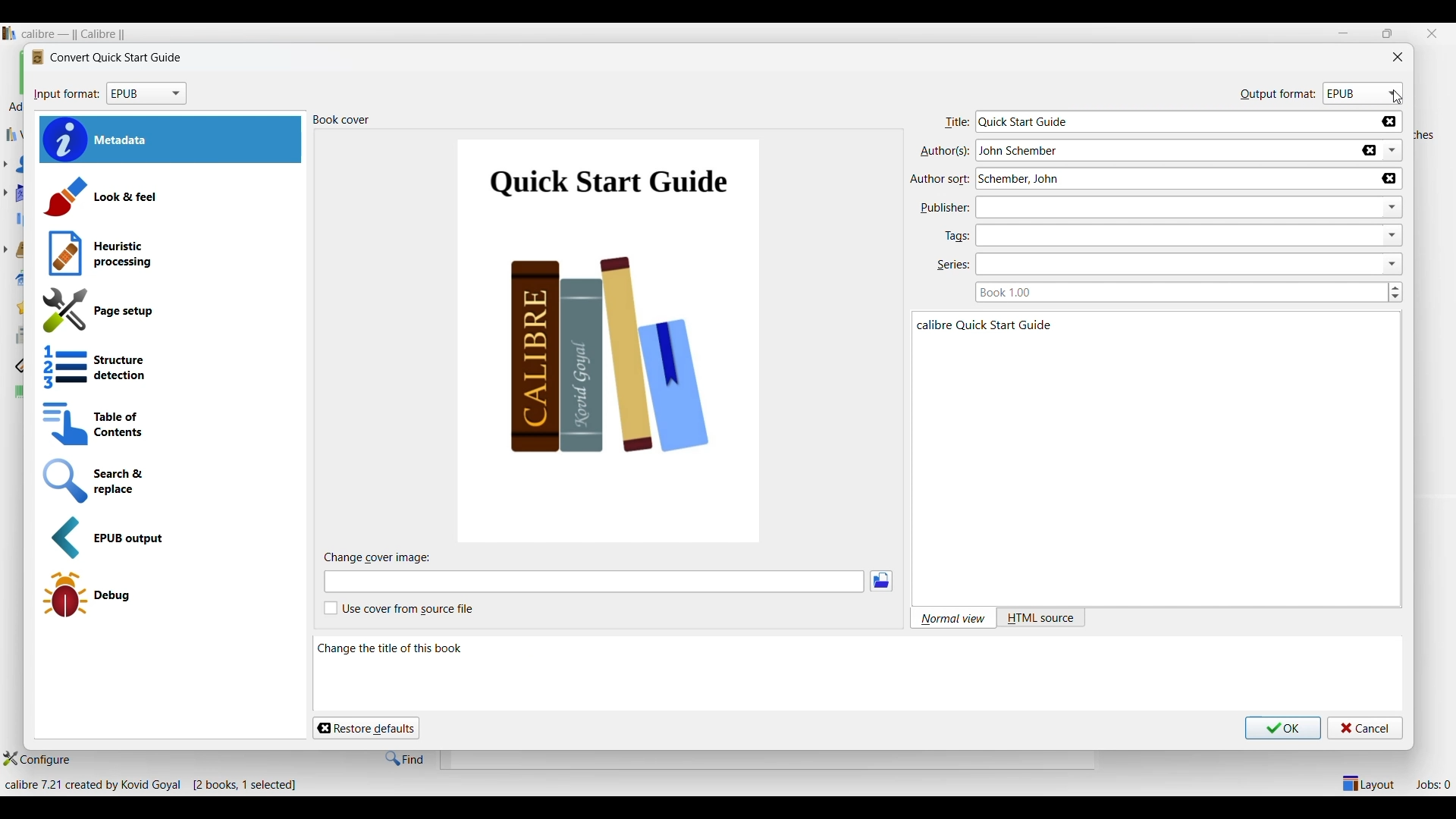  I want to click on List authors, so click(1393, 150).